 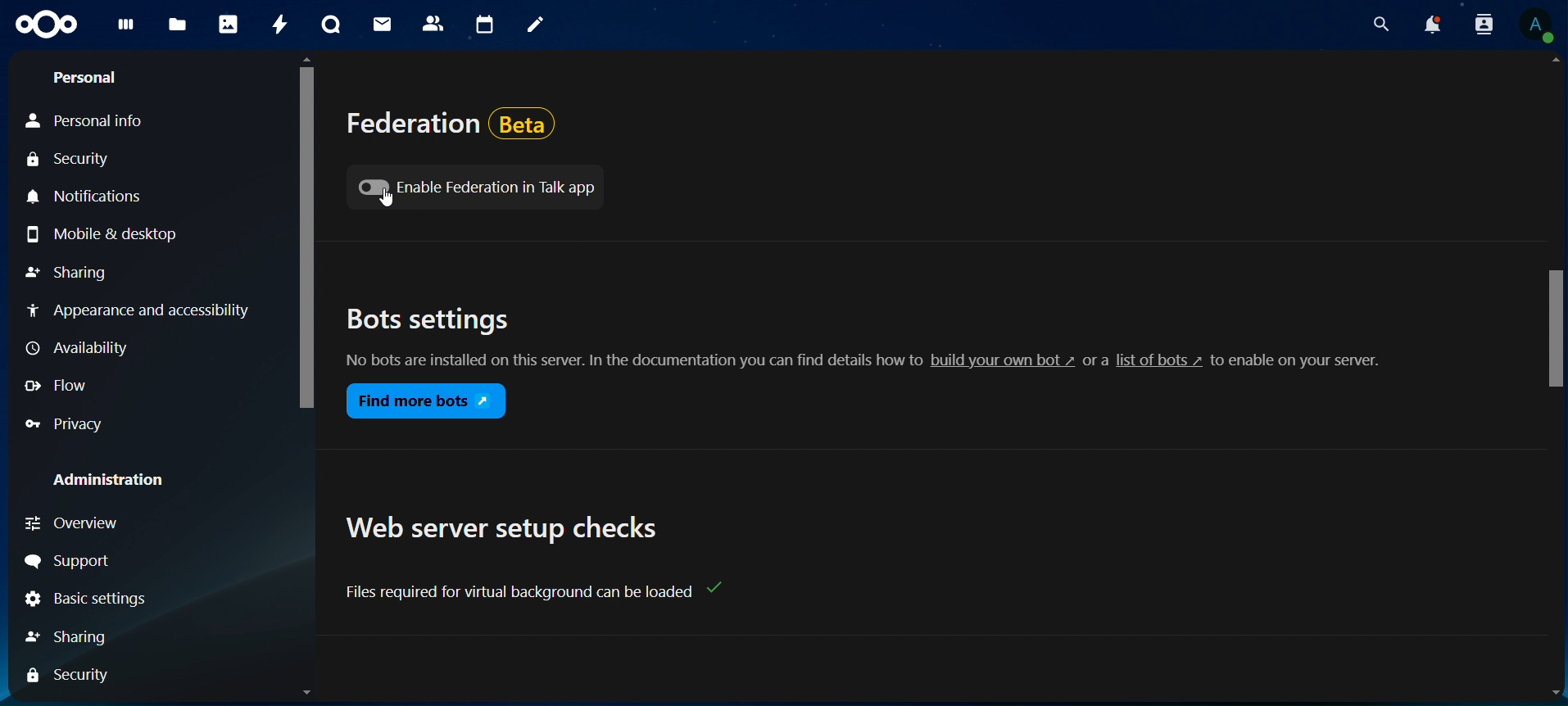 What do you see at coordinates (876, 361) in the screenshot?
I see `No bots are installed on this server. In the documentation you can find details how to build your own bot » or a list of bots » to enable on your server.` at bounding box center [876, 361].